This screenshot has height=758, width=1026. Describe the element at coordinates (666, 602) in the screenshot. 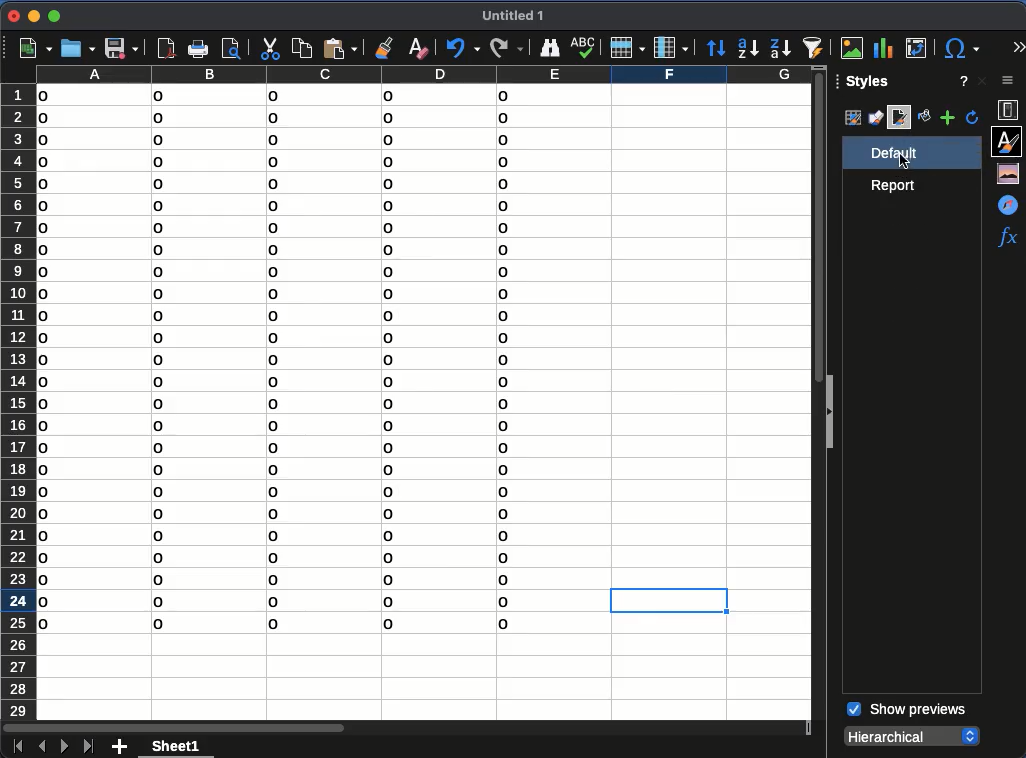

I see `cell` at that location.